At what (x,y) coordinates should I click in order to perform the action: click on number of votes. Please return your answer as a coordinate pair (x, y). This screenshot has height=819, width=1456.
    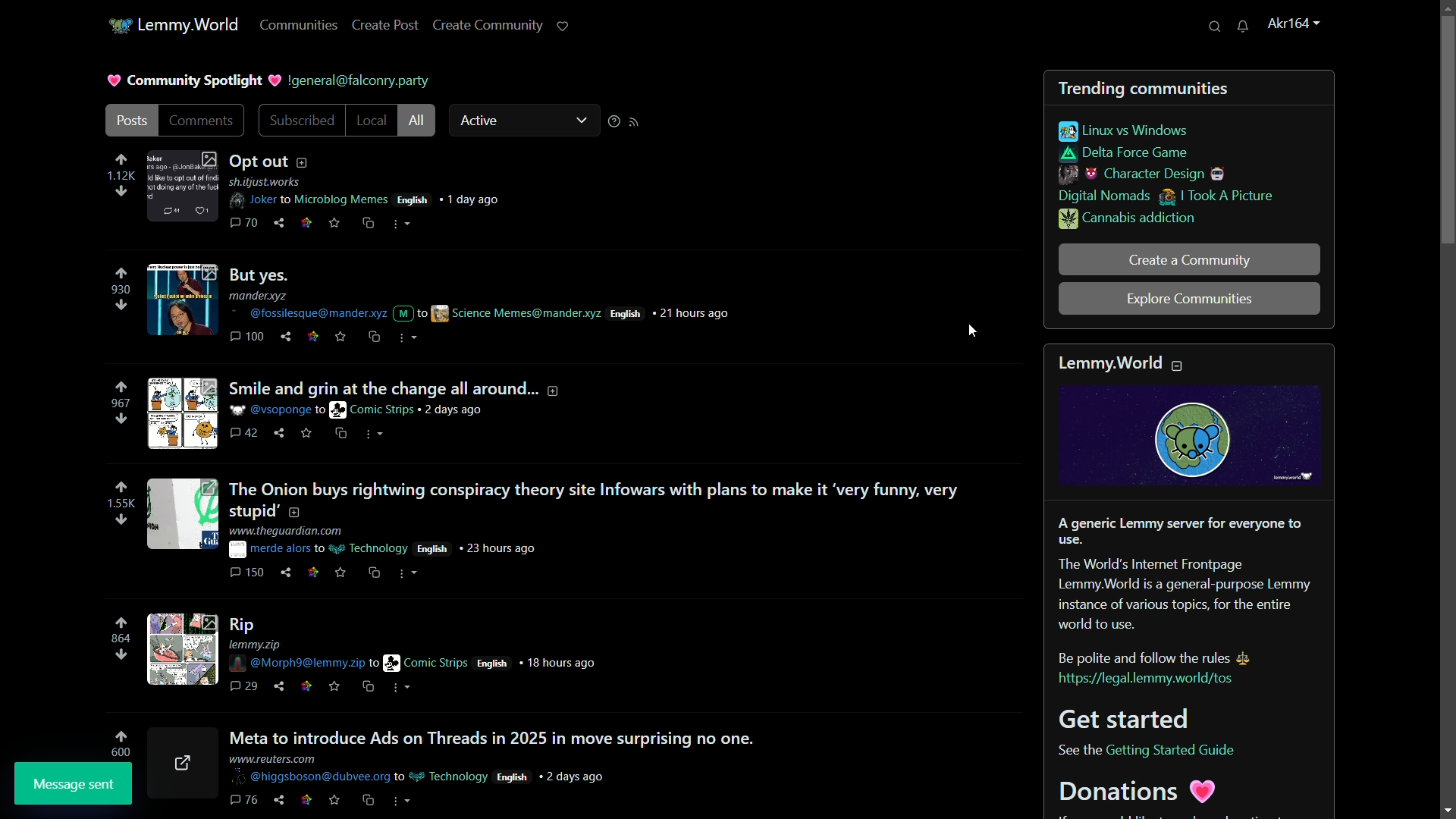
    Looking at the image, I should click on (120, 502).